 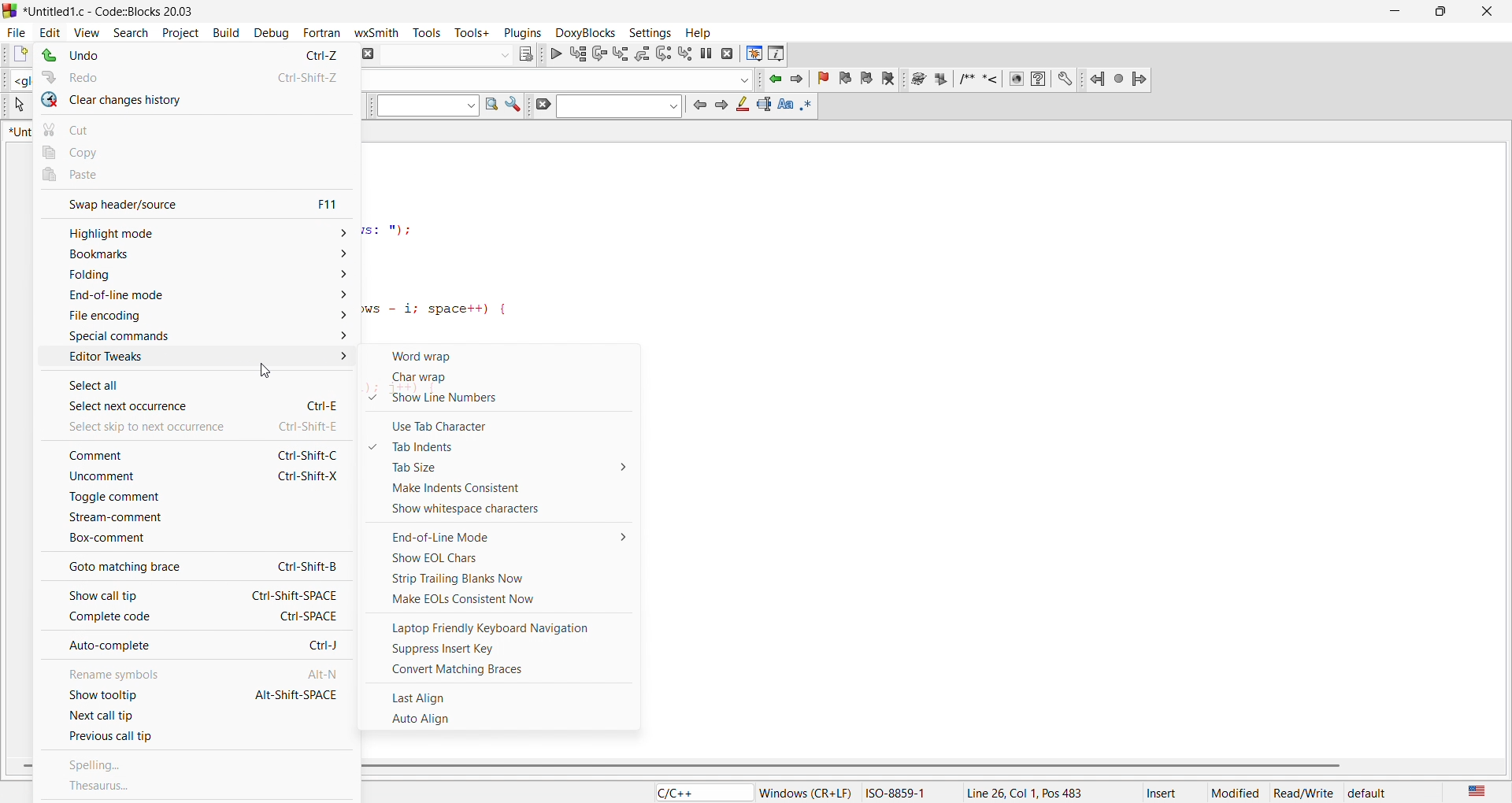 I want to click on icon, so click(x=742, y=109).